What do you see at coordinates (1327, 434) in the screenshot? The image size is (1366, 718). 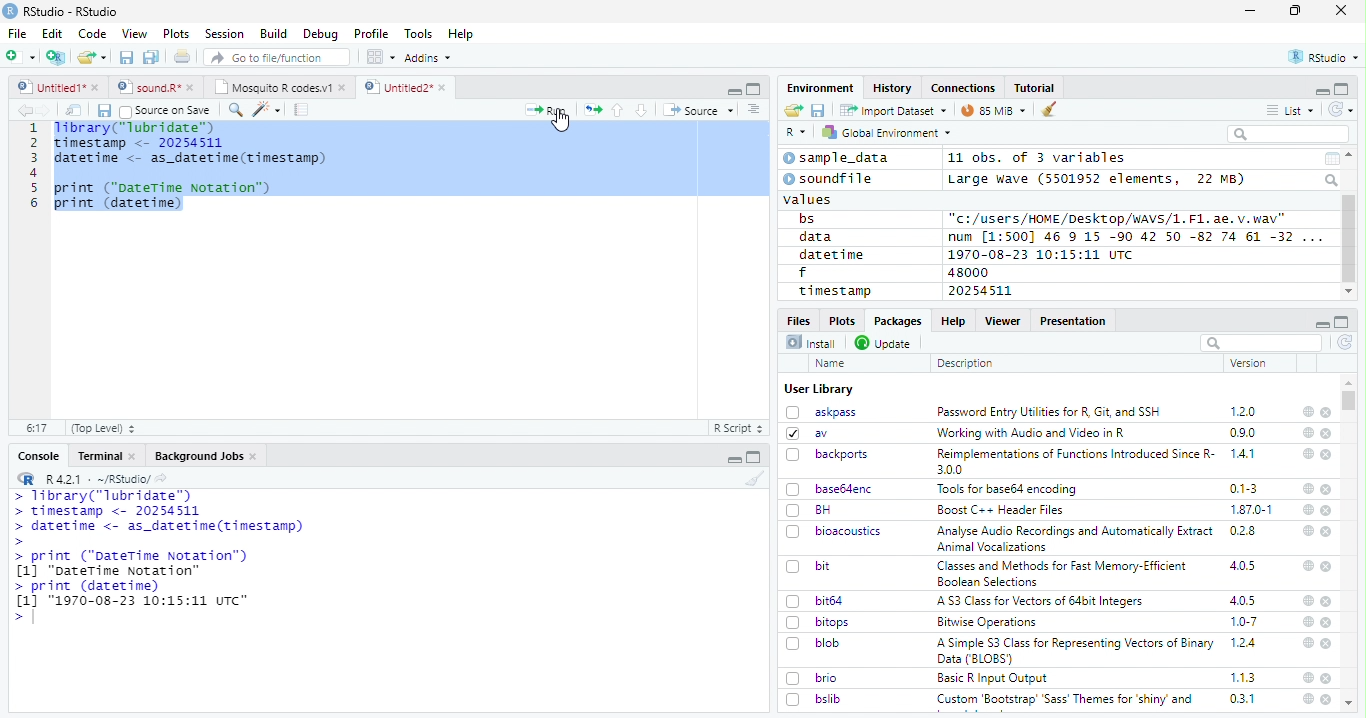 I see `close` at bounding box center [1327, 434].